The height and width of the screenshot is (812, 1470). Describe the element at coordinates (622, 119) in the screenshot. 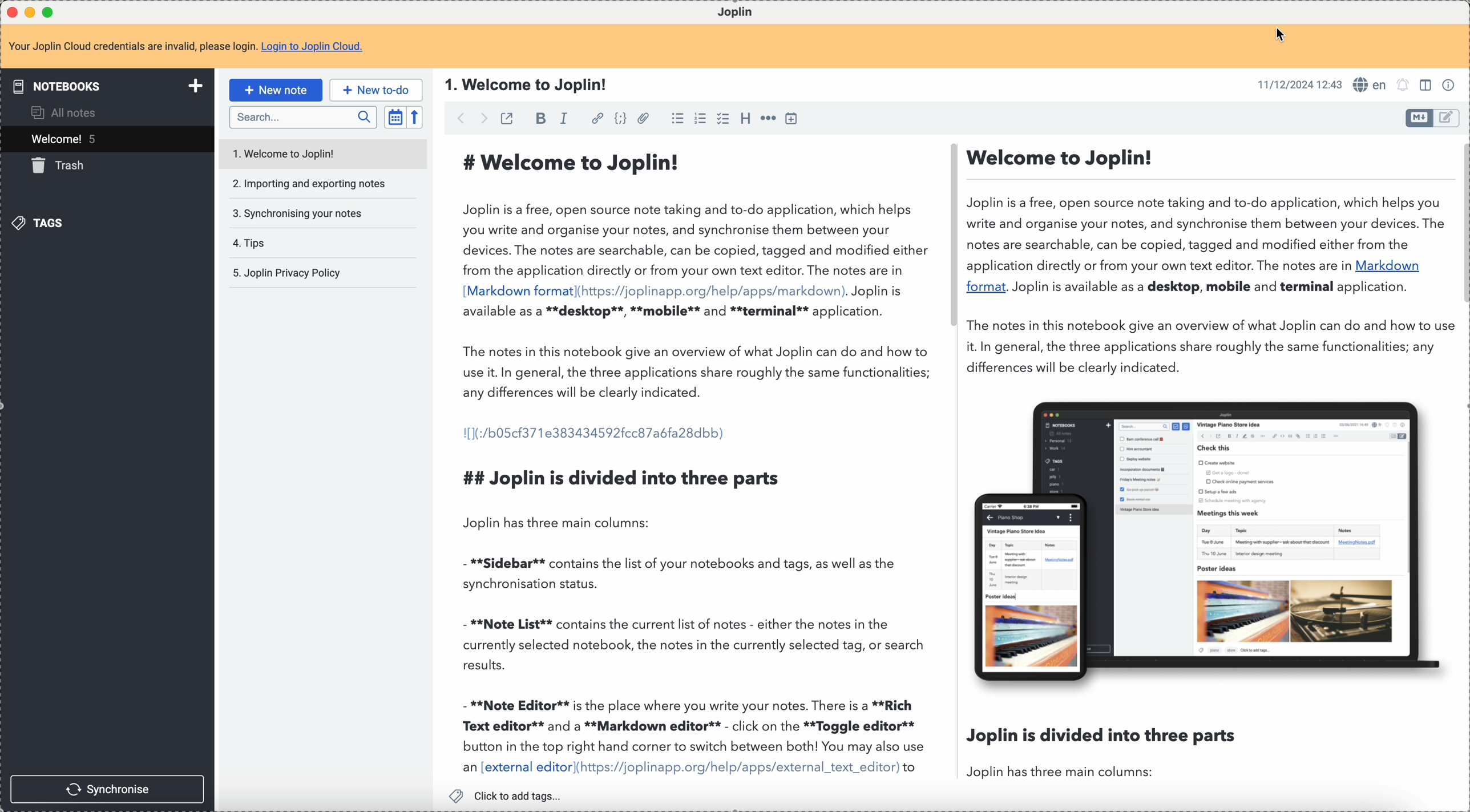

I see `code` at that location.